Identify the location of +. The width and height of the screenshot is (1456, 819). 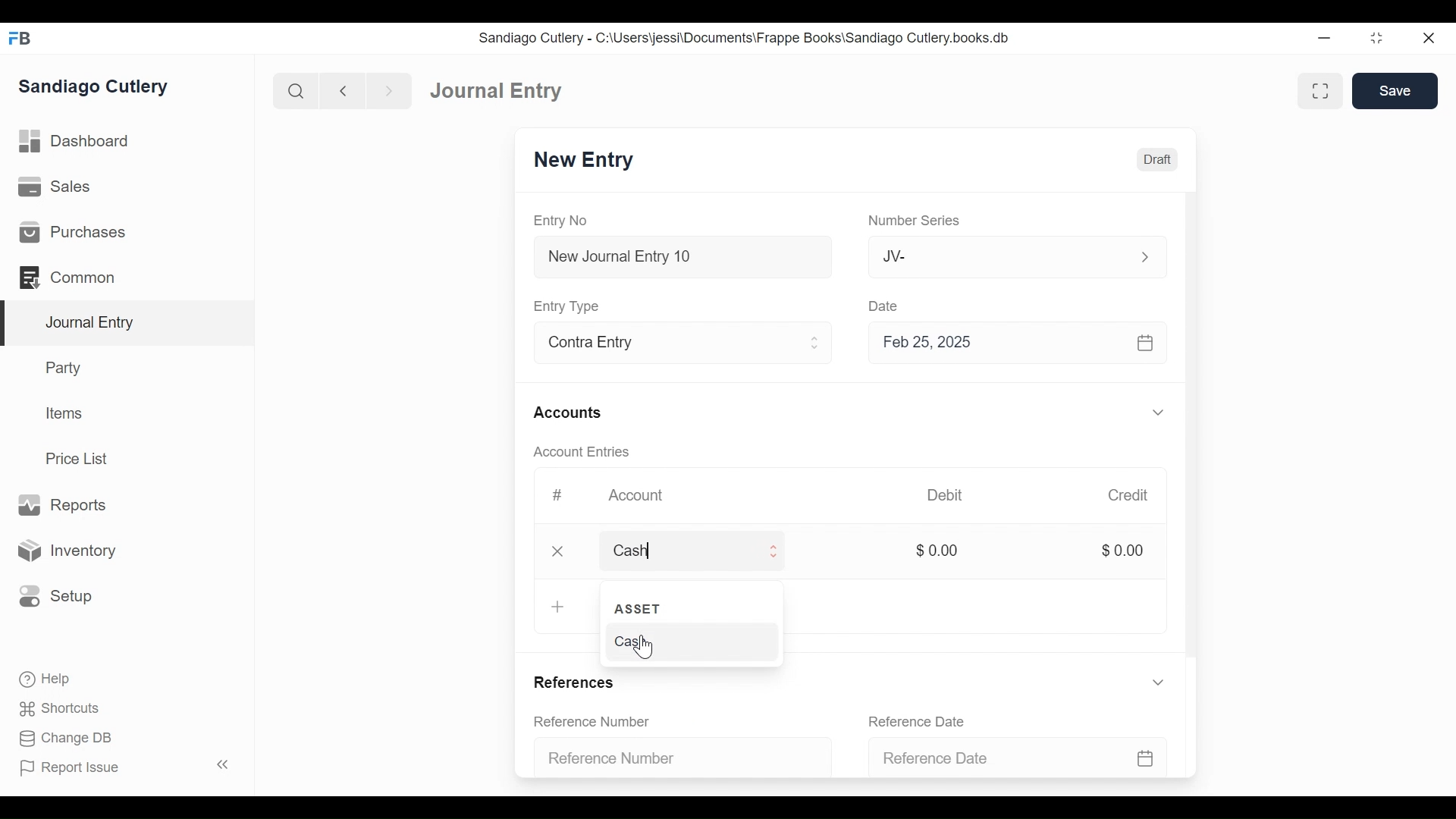
(557, 605).